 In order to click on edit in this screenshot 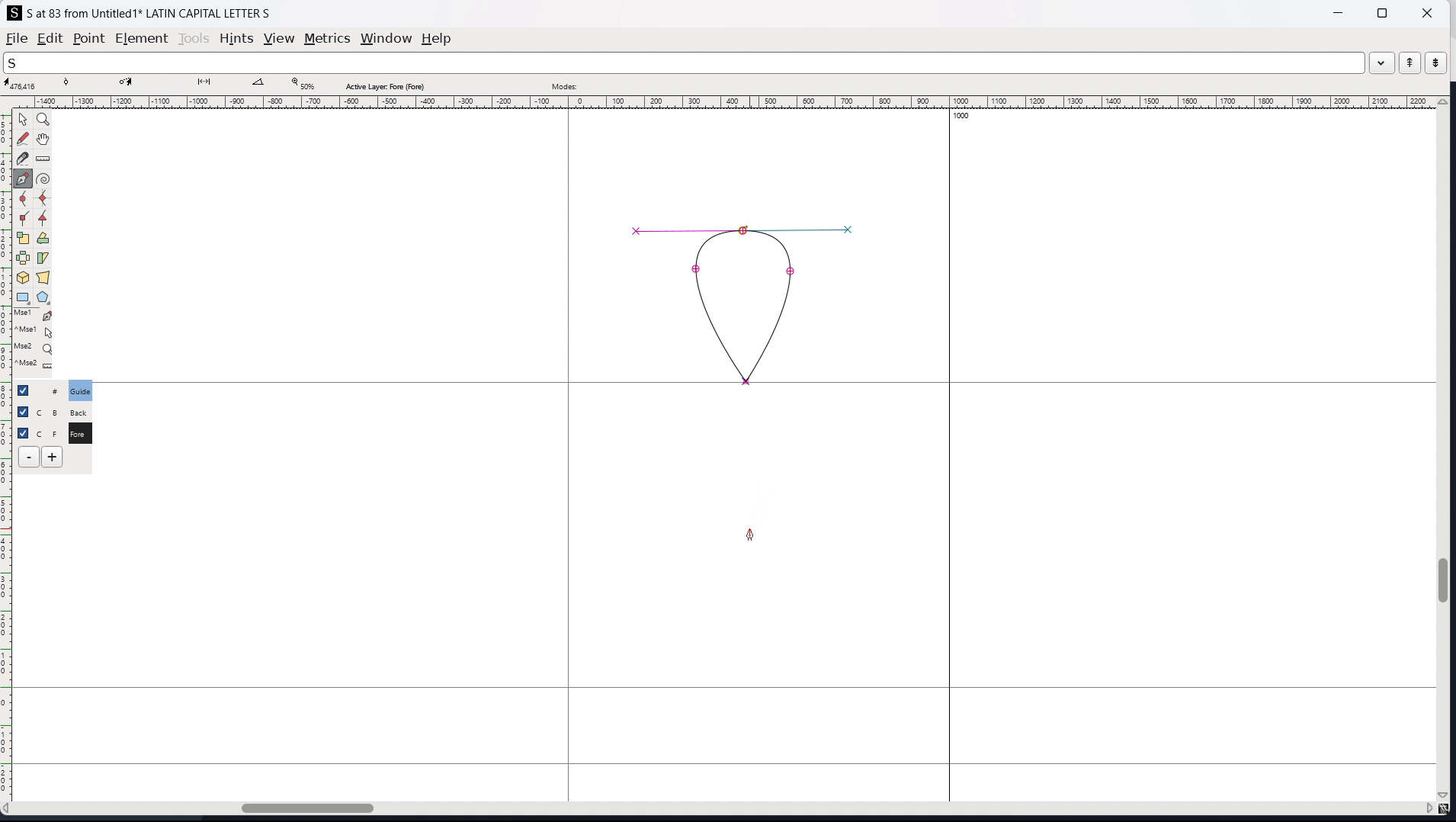, I will do `click(50, 38)`.